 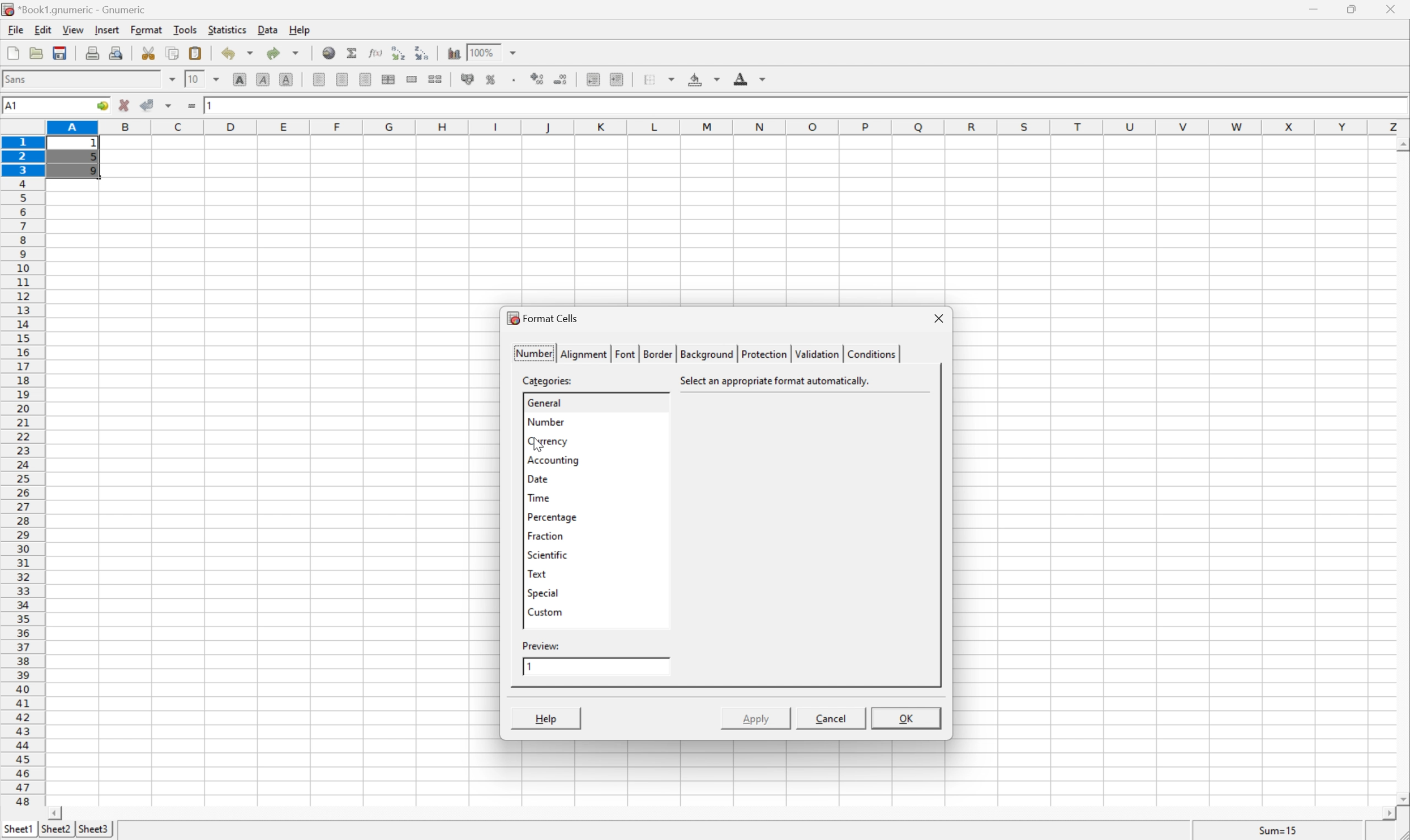 What do you see at coordinates (198, 53) in the screenshot?
I see `paste` at bounding box center [198, 53].